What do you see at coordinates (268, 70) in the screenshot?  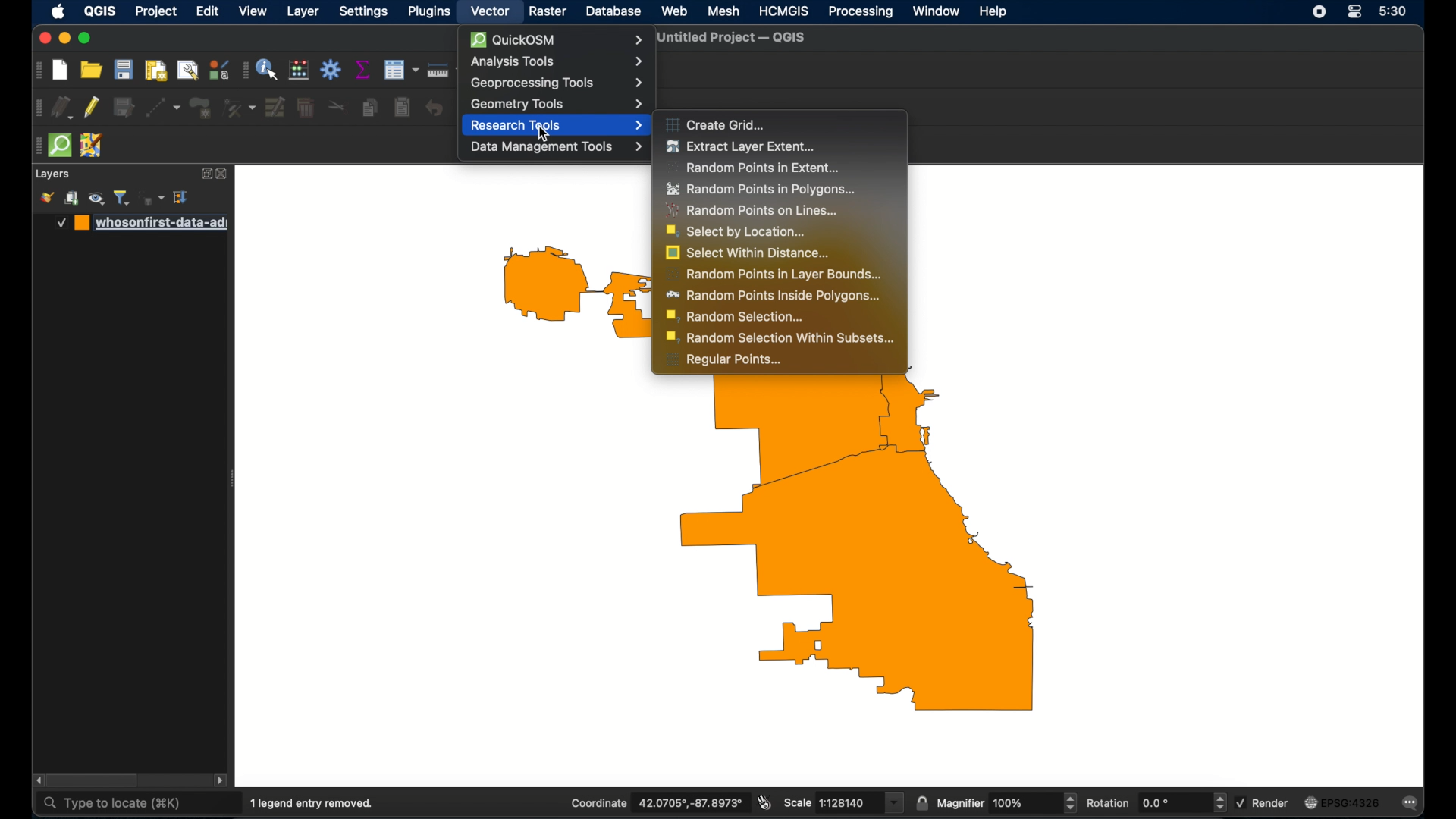 I see `identify feature` at bounding box center [268, 70].